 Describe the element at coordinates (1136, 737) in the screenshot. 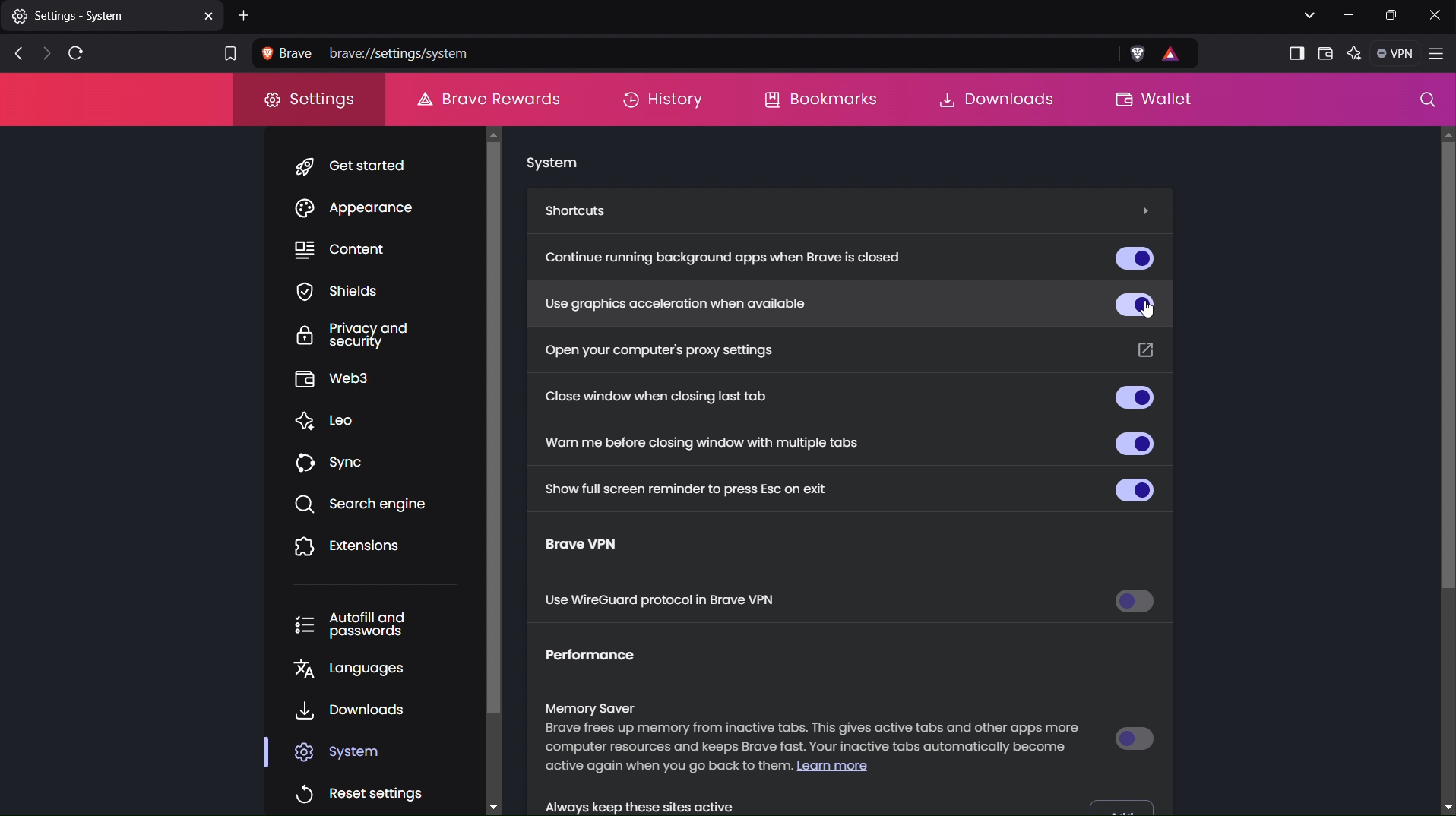

I see `Button` at that location.